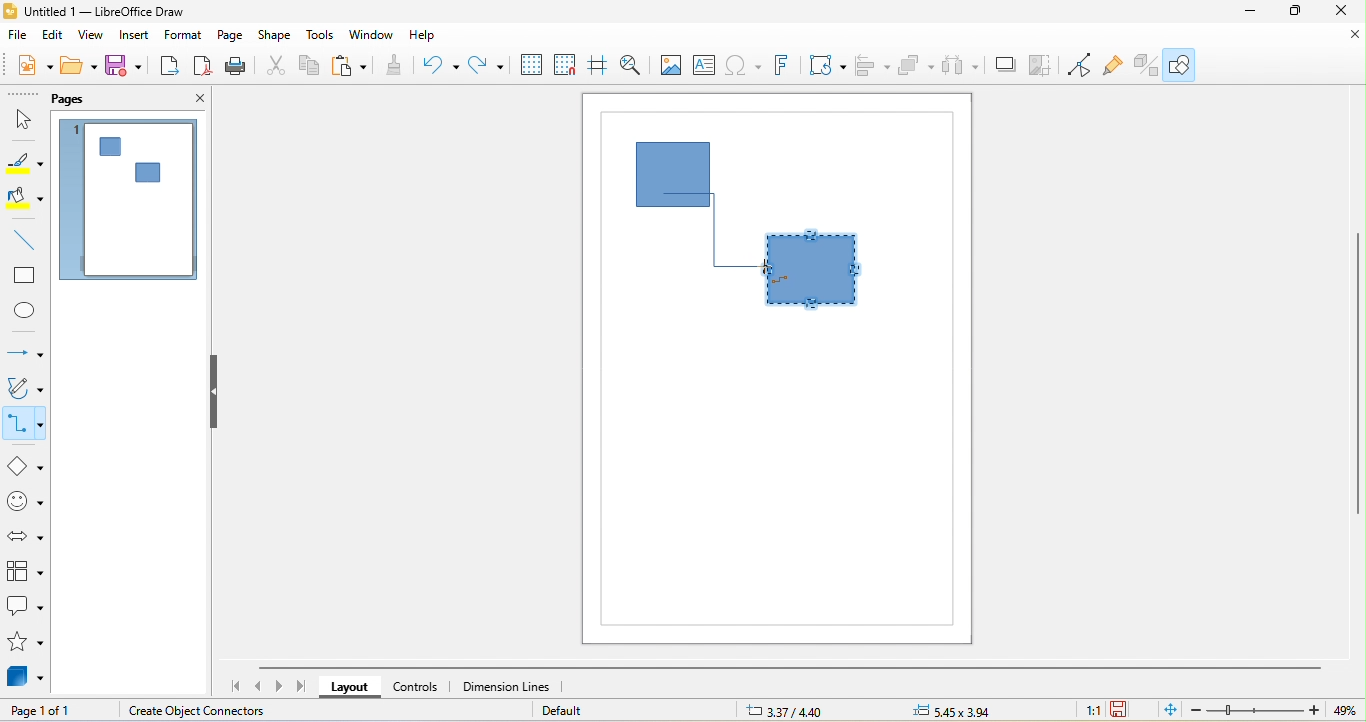 This screenshot has height=722, width=1366. What do you see at coordinates (274, 36) in the screenshot?
I see `shape` at bounding box center [274, 36].